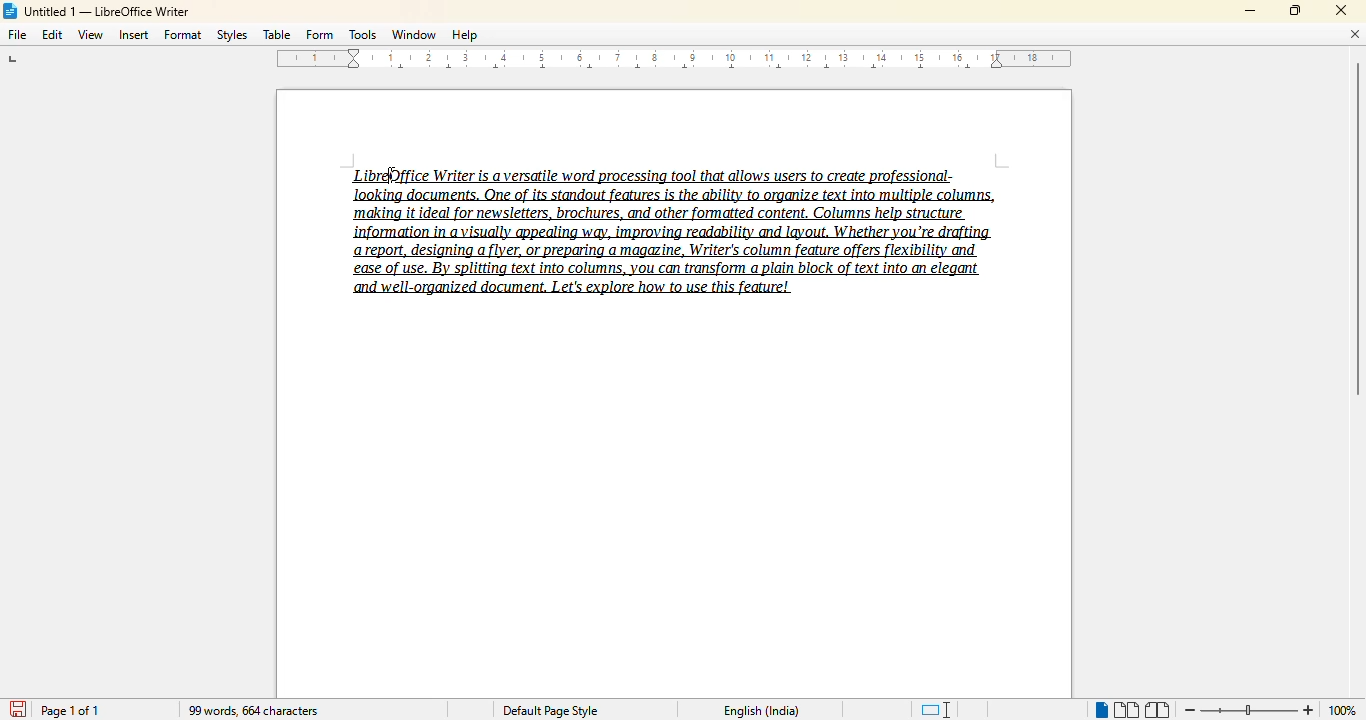 The image size is (1366, 720). Describe the element at coordinates (277, 35) in the screenshot. I see `table` at that location.